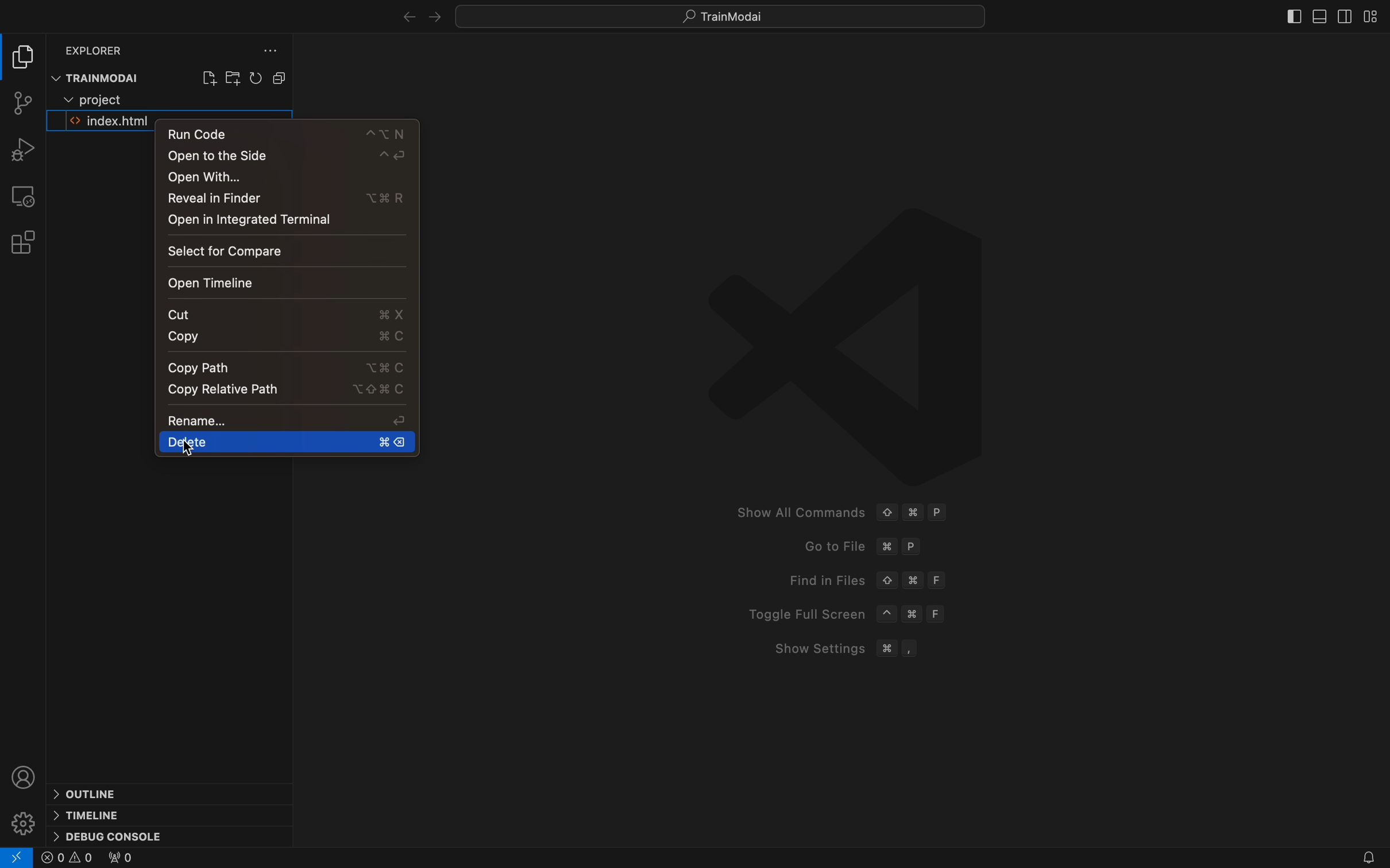 The height and width of the screenshot is (868, 1390). What do you see at coordinates (182, 338) in the screenshot?
I see `copy` at bounding box center [182, 338].